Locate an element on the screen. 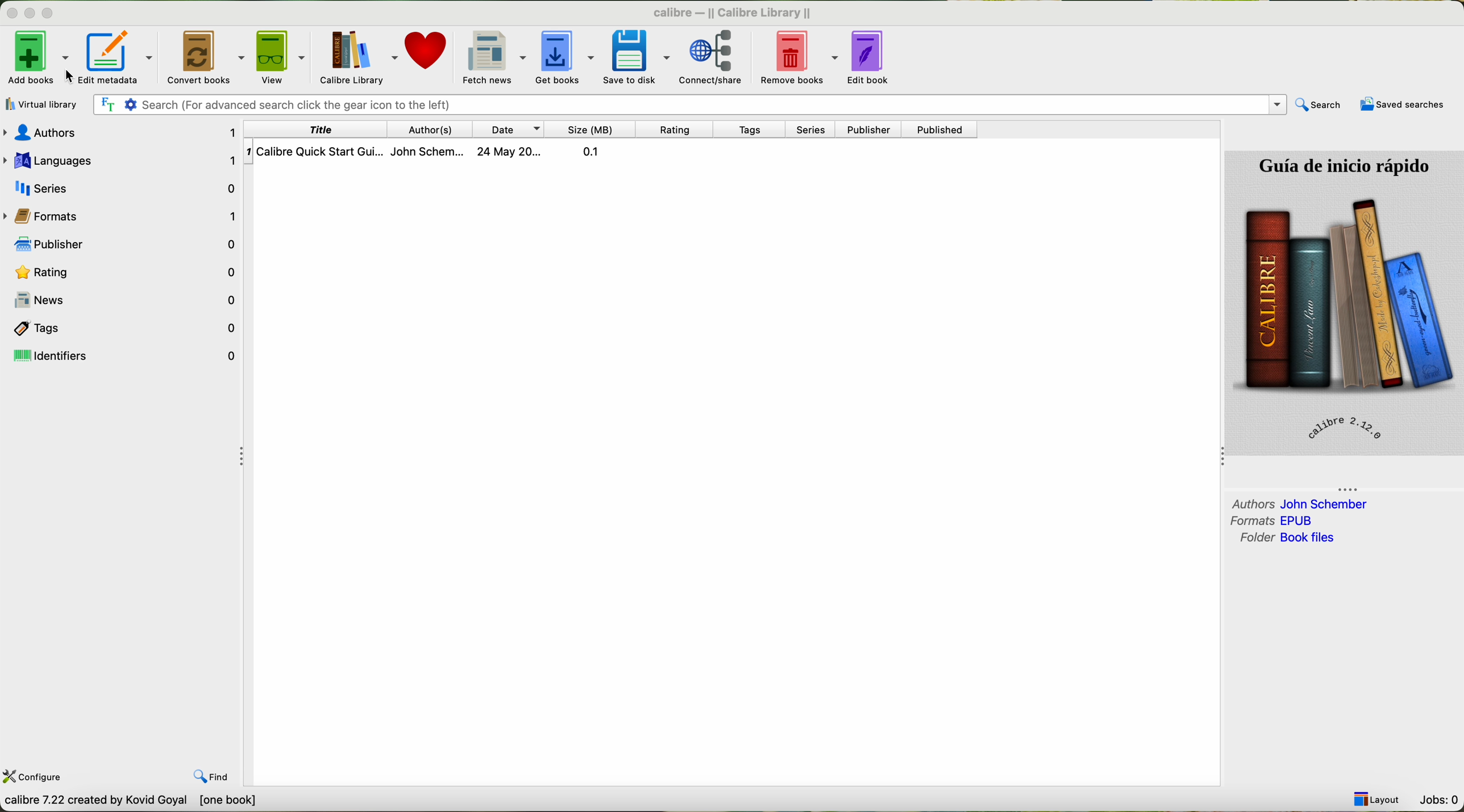 This screenshot has width=1464, height=812. size is located at coordinates (593, 129).